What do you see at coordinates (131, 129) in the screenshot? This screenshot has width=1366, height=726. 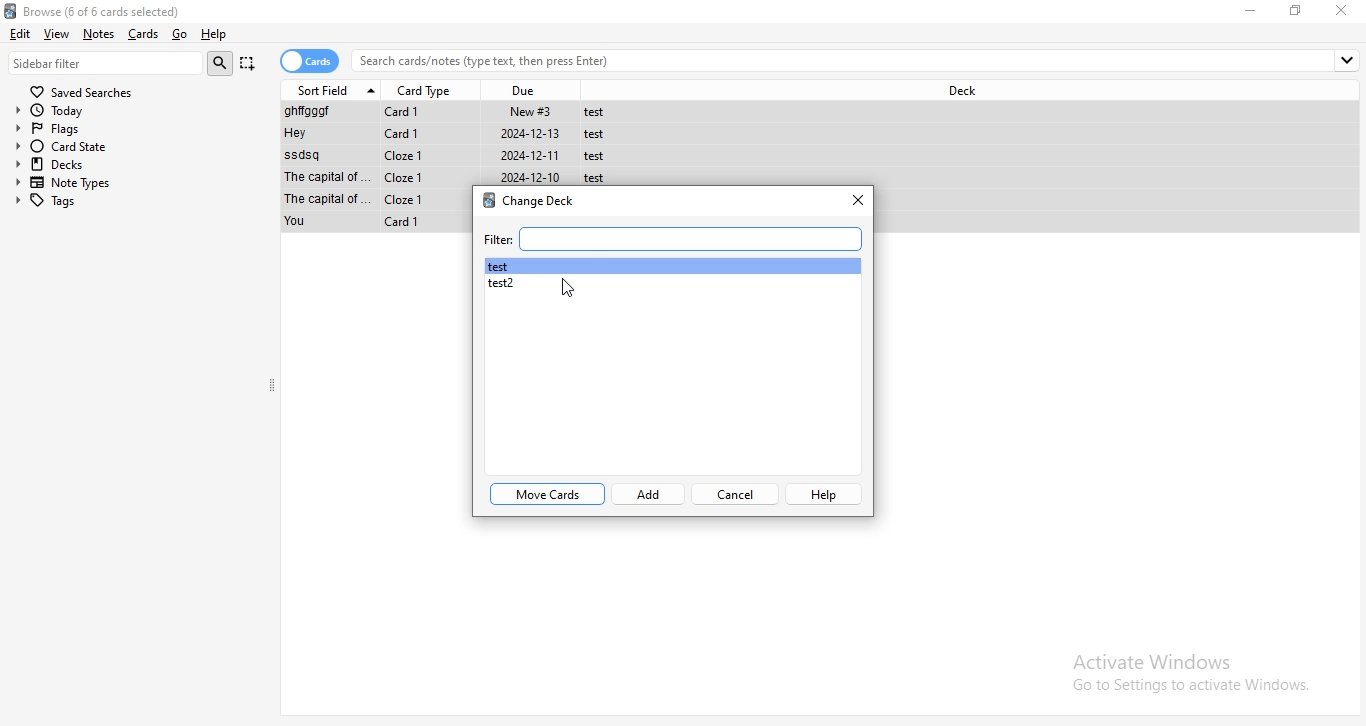 I see `flags` at bounding box center [131, 129].